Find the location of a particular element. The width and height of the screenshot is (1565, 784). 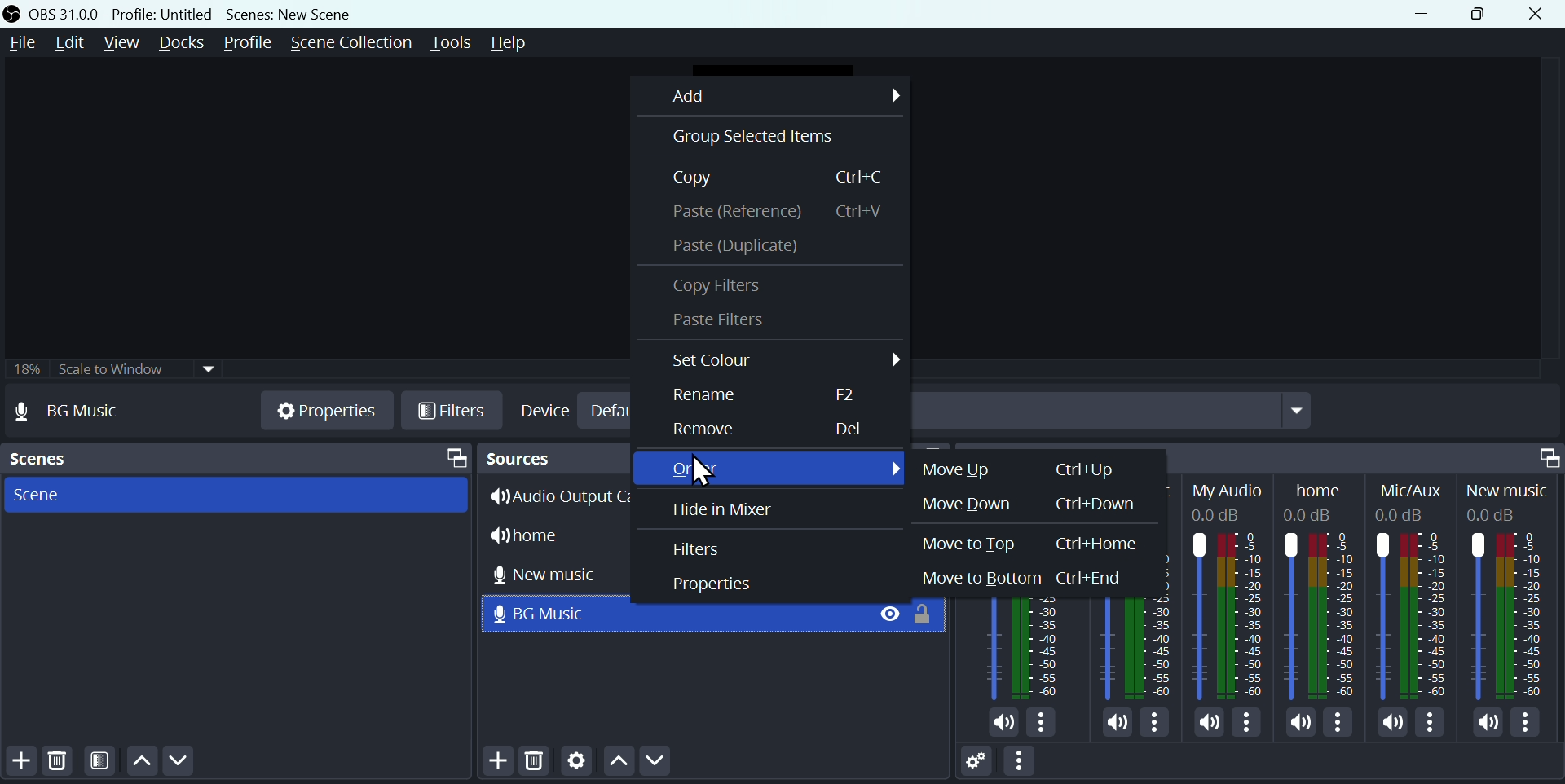

Set colour is located at coordinates (783, 363).